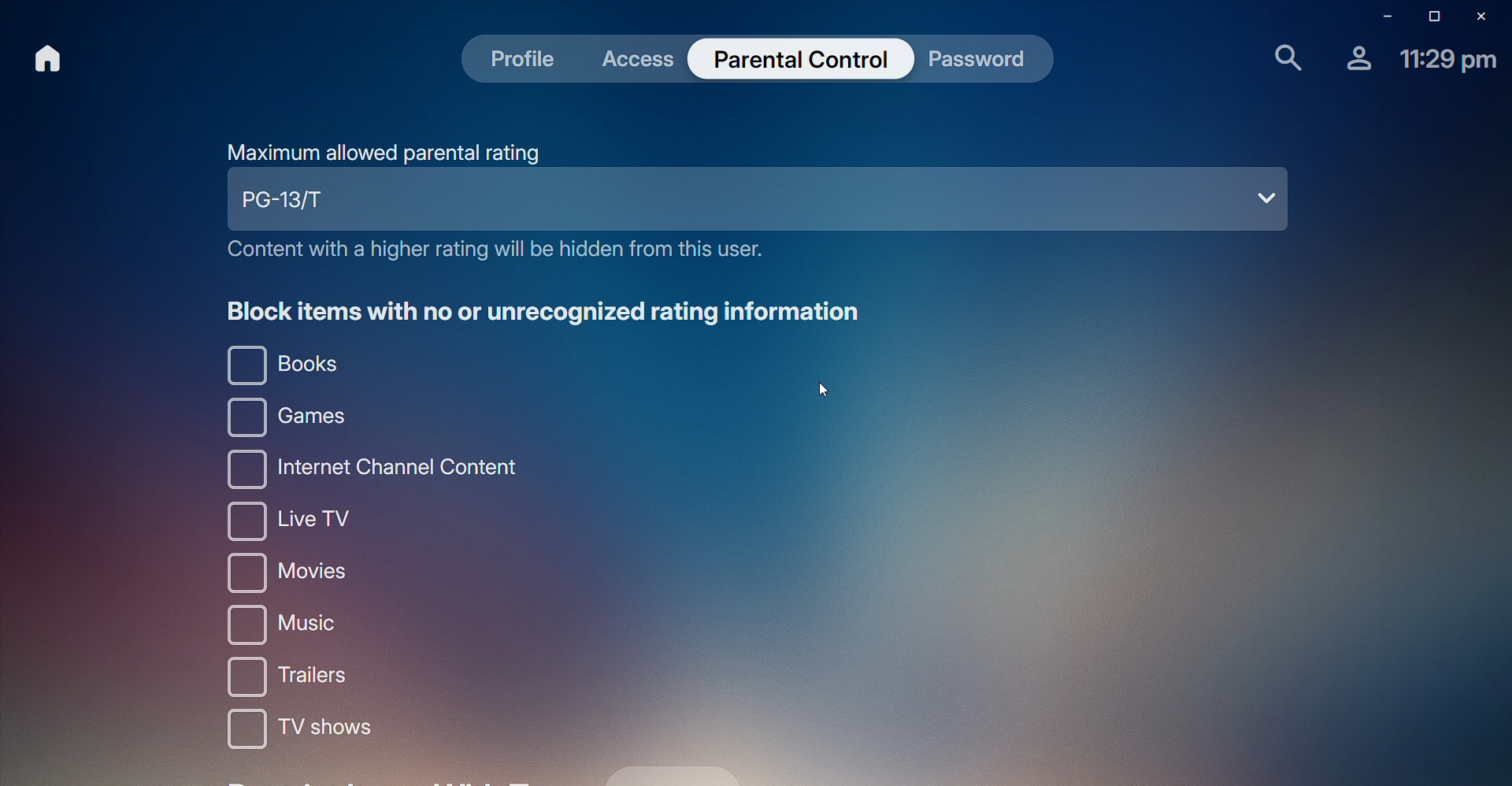  Describe the element at coordinates (524, 61) in the screenshot. I see `Profile` at that location.